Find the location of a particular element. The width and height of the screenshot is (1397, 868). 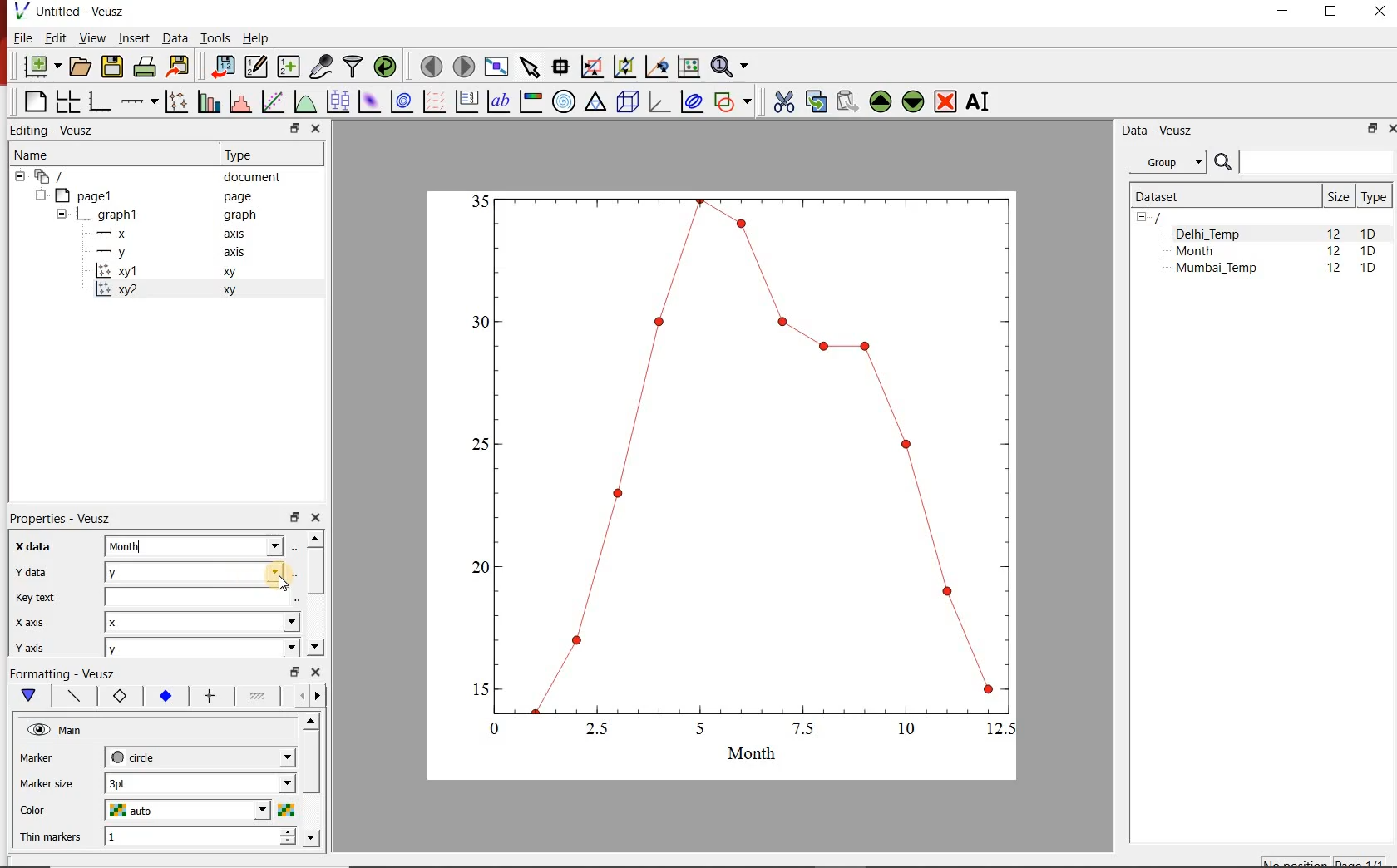

Minor ticks is located at coordinates (259, 696).